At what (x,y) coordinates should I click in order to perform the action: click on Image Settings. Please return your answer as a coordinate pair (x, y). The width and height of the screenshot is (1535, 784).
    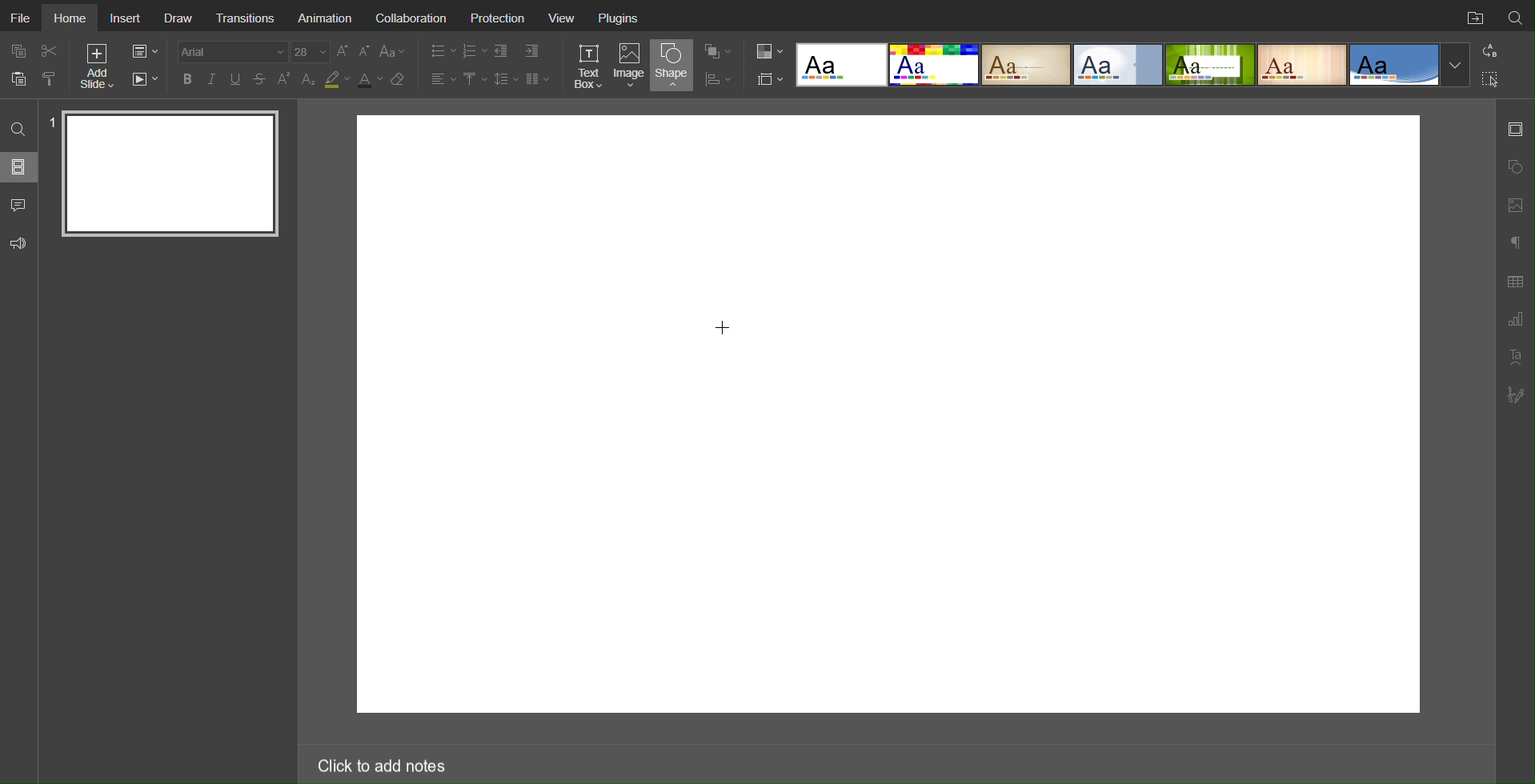
    Looking at the image, I should click on (1514, 203).